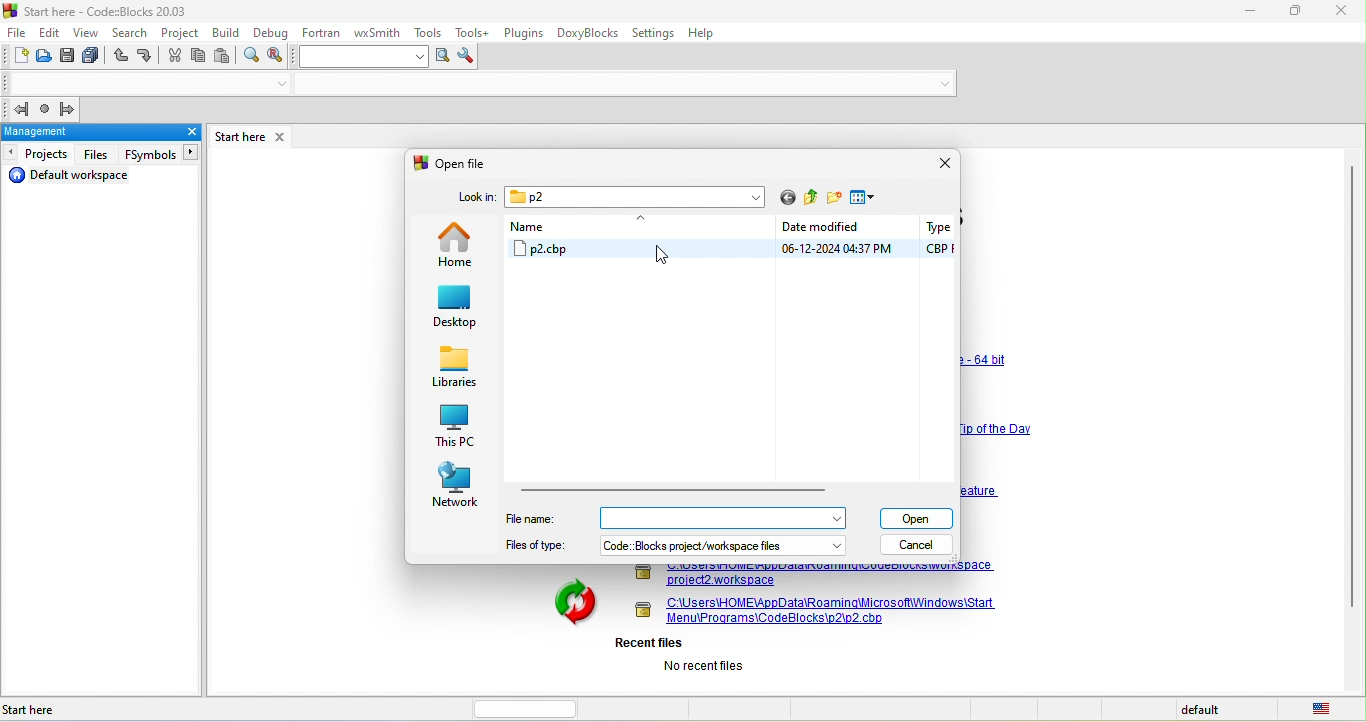  Describe the element at coordinates (321, 34) in the screenshot. I see `fortran` at that location.